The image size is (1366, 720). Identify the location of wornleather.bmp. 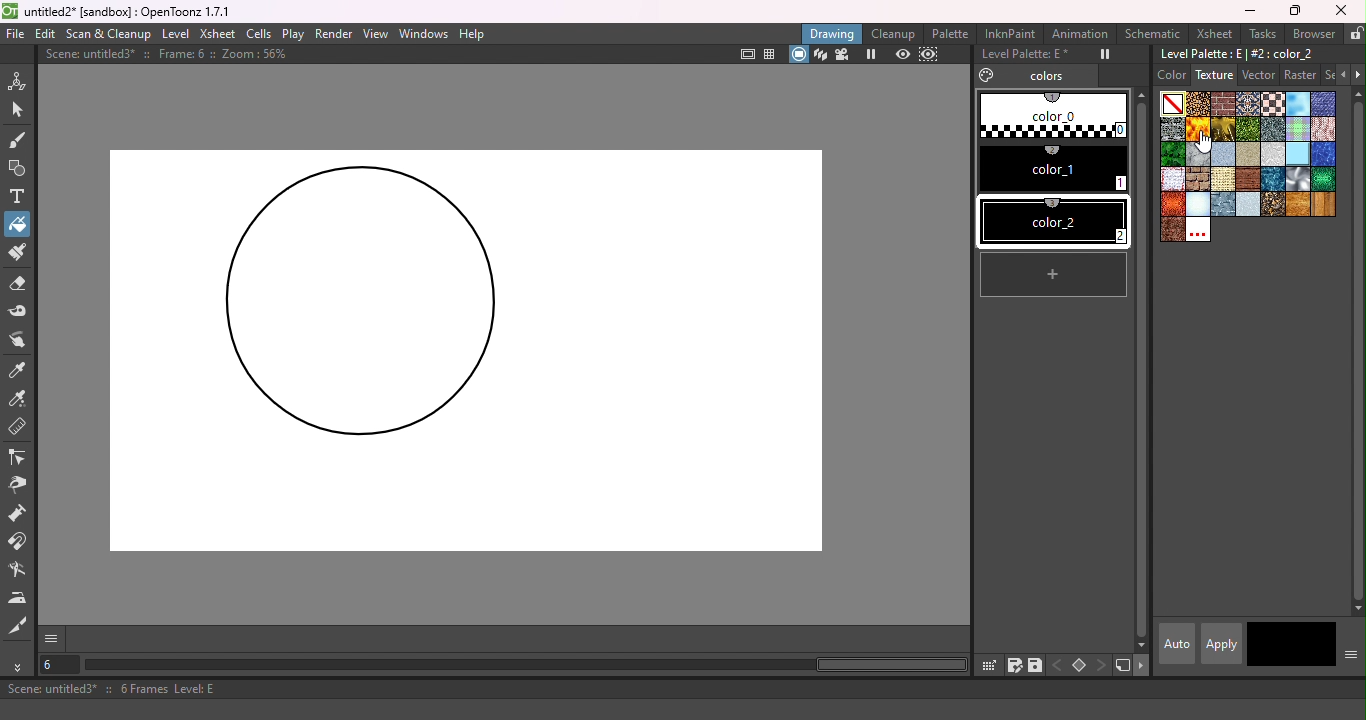
(1174, 231).